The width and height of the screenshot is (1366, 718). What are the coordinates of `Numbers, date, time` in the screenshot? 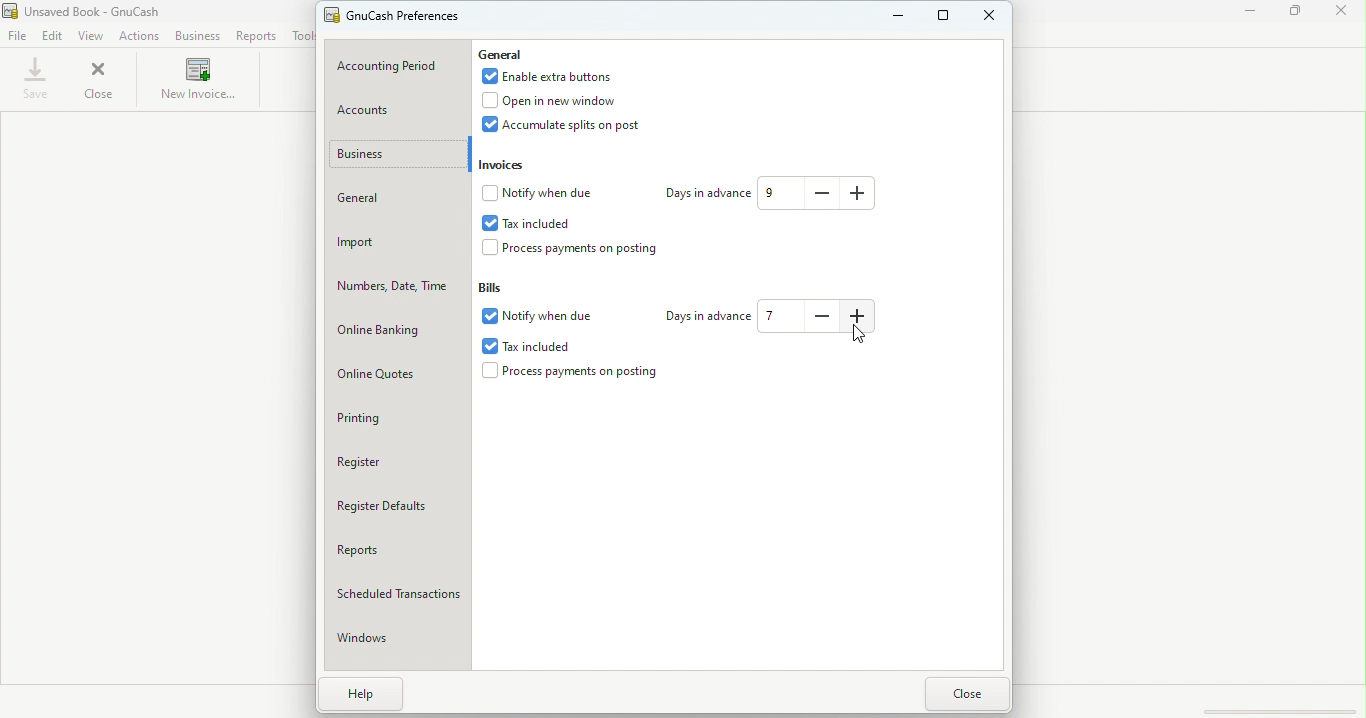 It's located at (390, 286).